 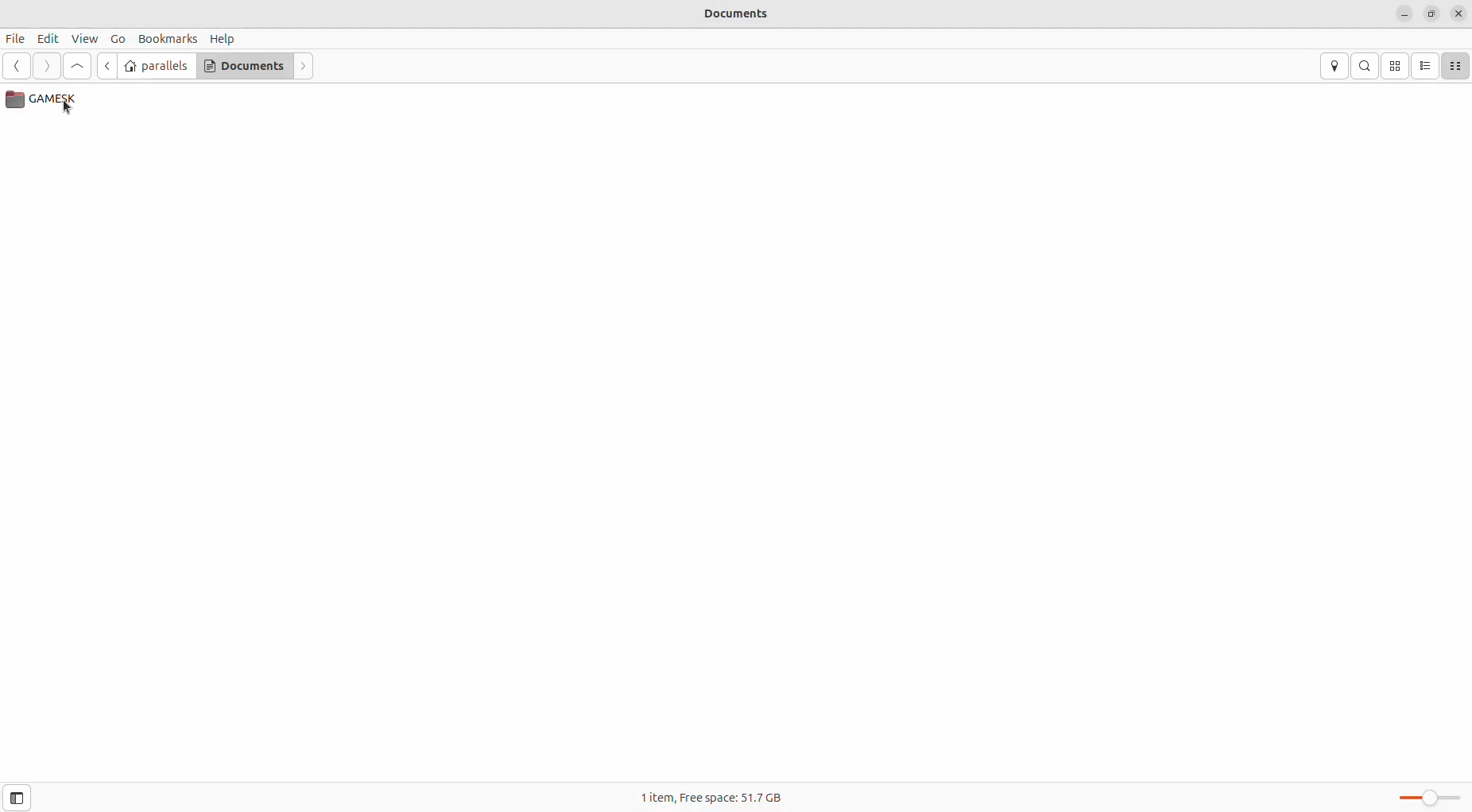 I want to click on location, so click(x=1335, y=68).